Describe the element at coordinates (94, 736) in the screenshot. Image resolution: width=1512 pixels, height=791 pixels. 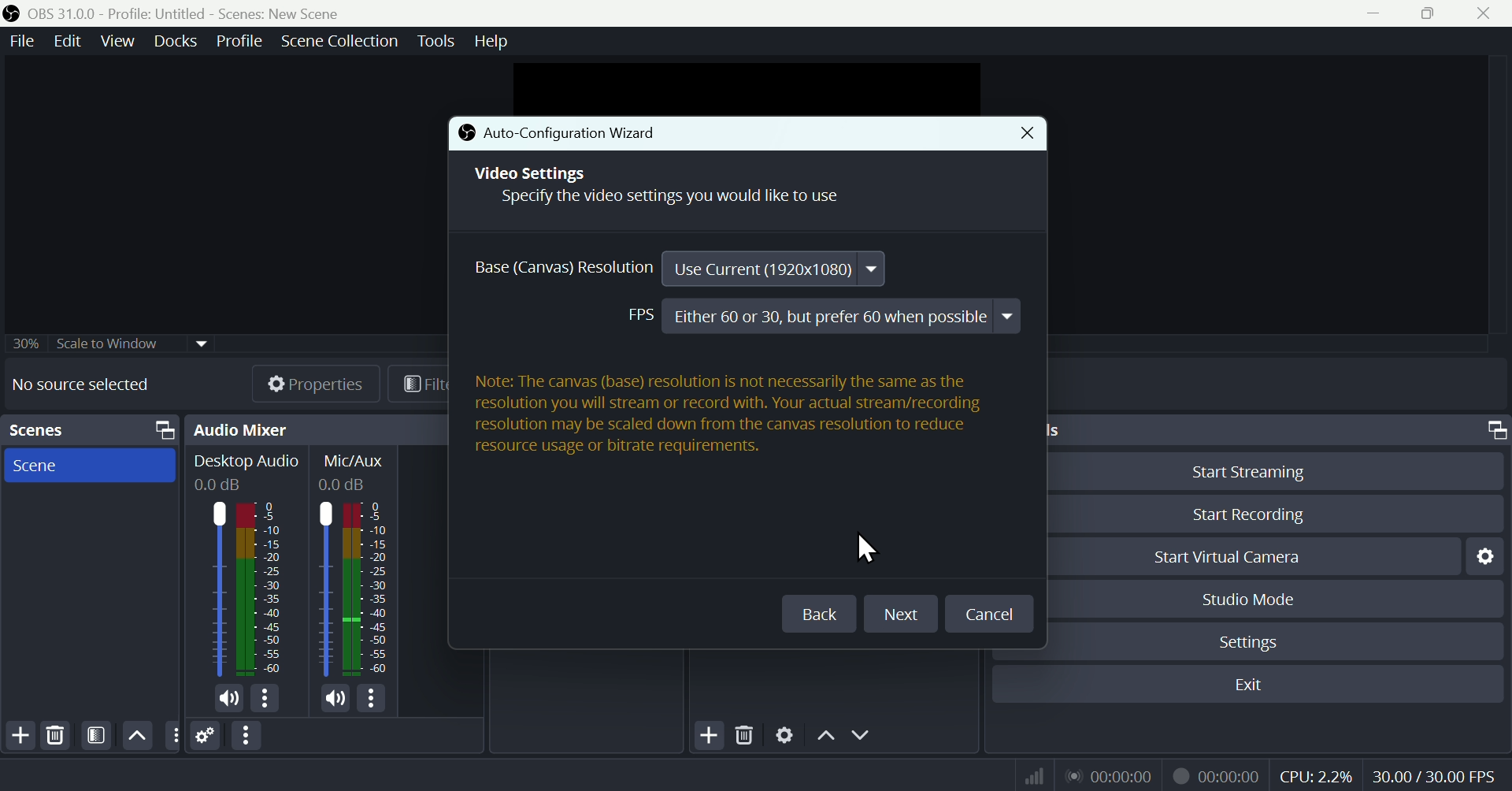
I see `Filters` at that location.